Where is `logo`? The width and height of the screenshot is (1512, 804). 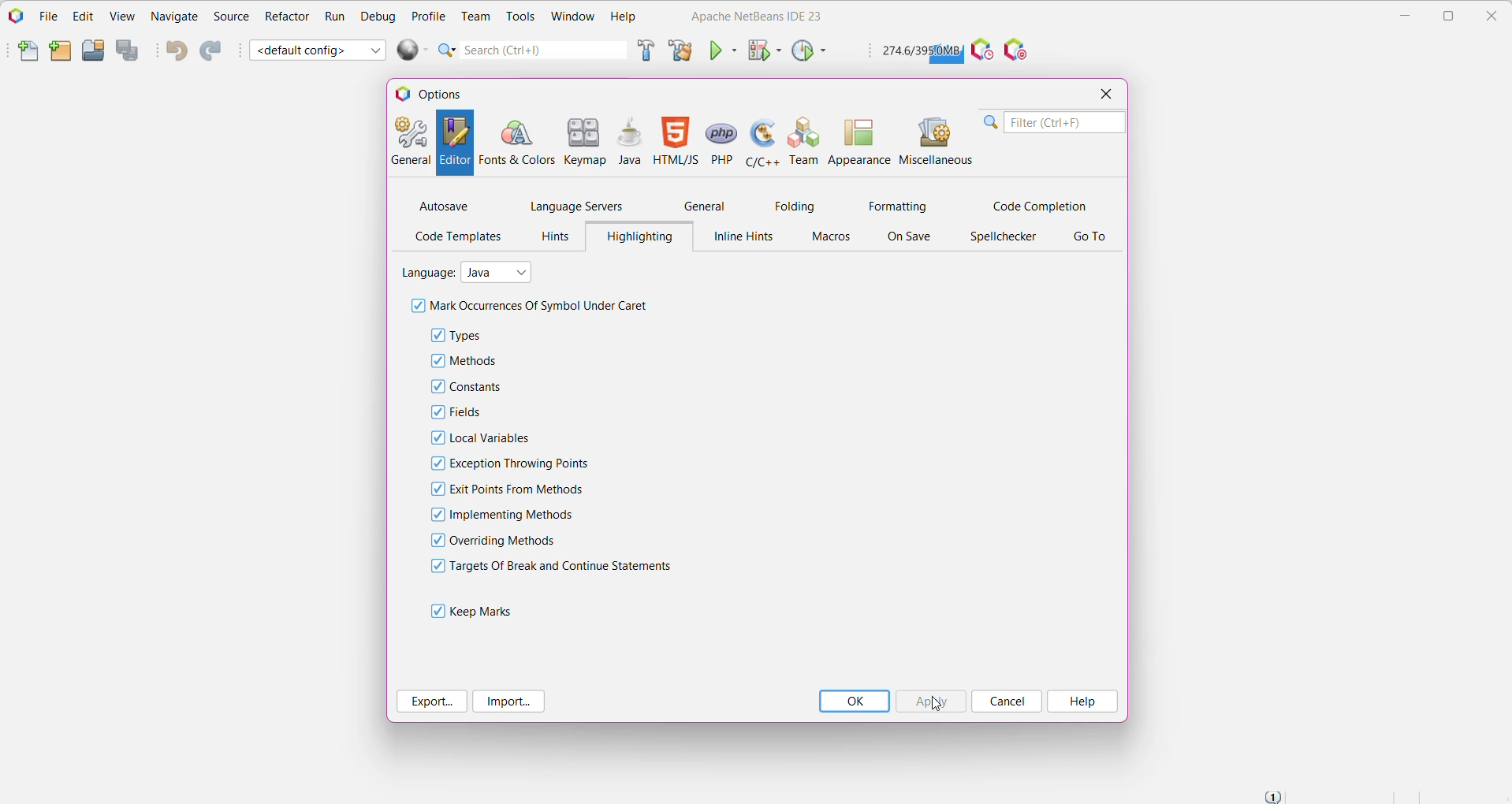
logo is located at coordinates (403, 92).